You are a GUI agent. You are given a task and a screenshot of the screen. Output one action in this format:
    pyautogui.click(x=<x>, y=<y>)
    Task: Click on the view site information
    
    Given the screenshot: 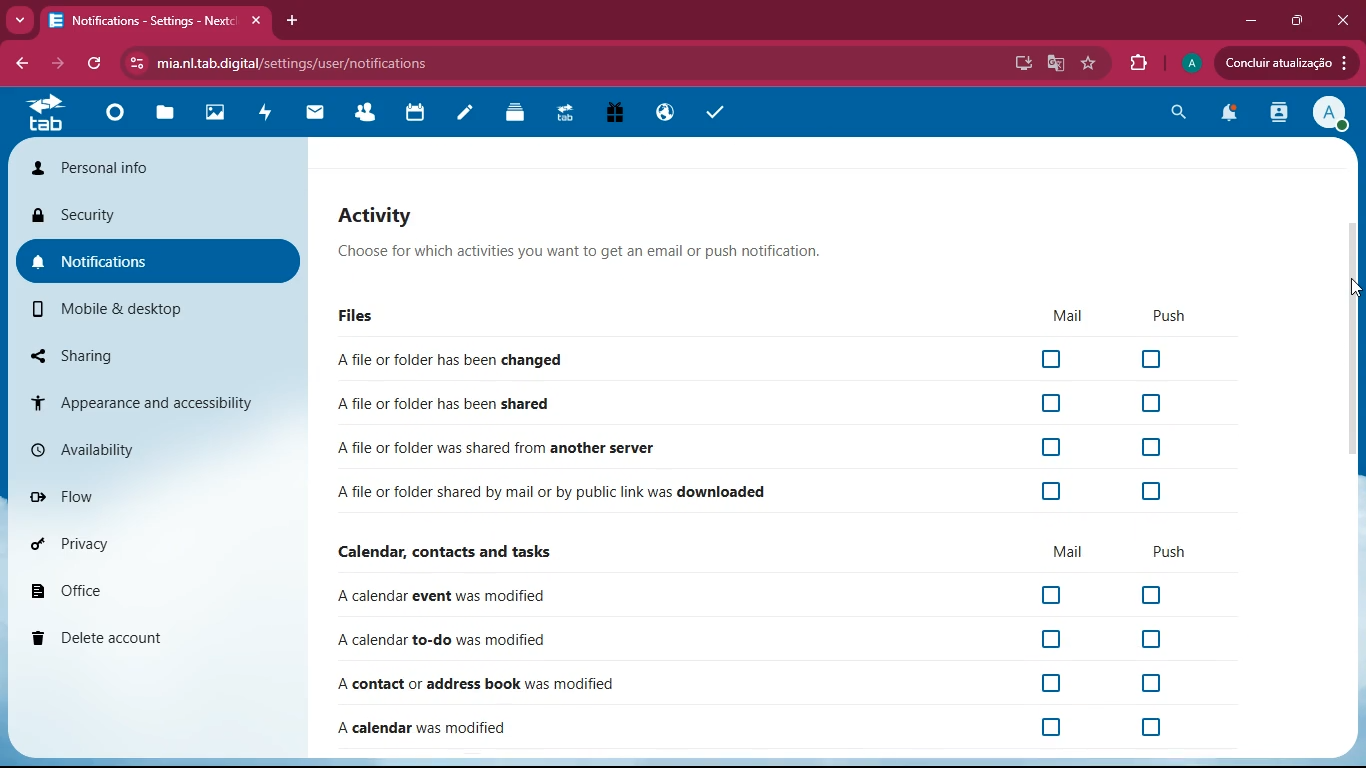 What is the action you would take?
    pyautogui.click(x=133, y=64)
    